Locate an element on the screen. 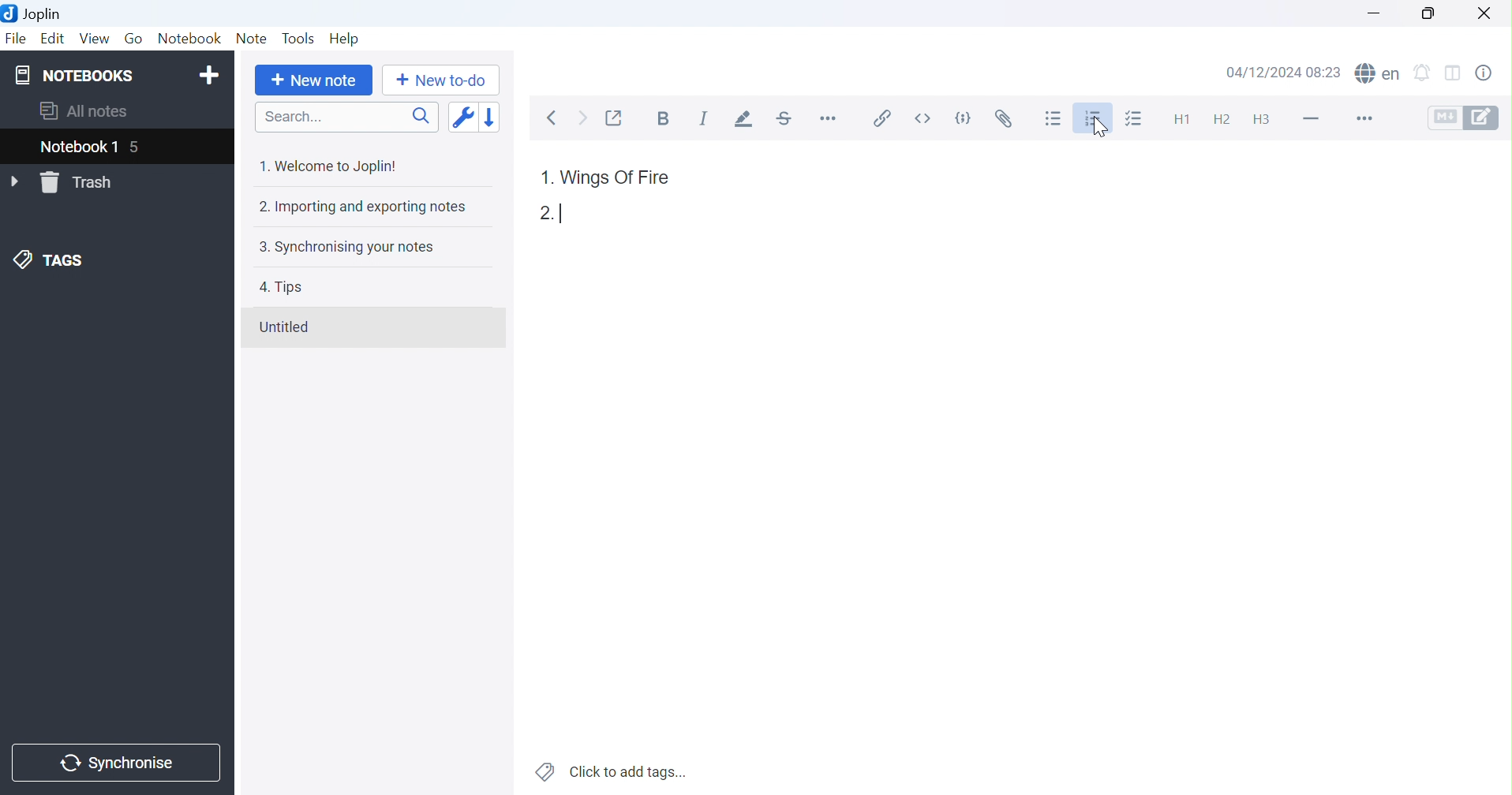  More is located at coordinates (1361, 118).